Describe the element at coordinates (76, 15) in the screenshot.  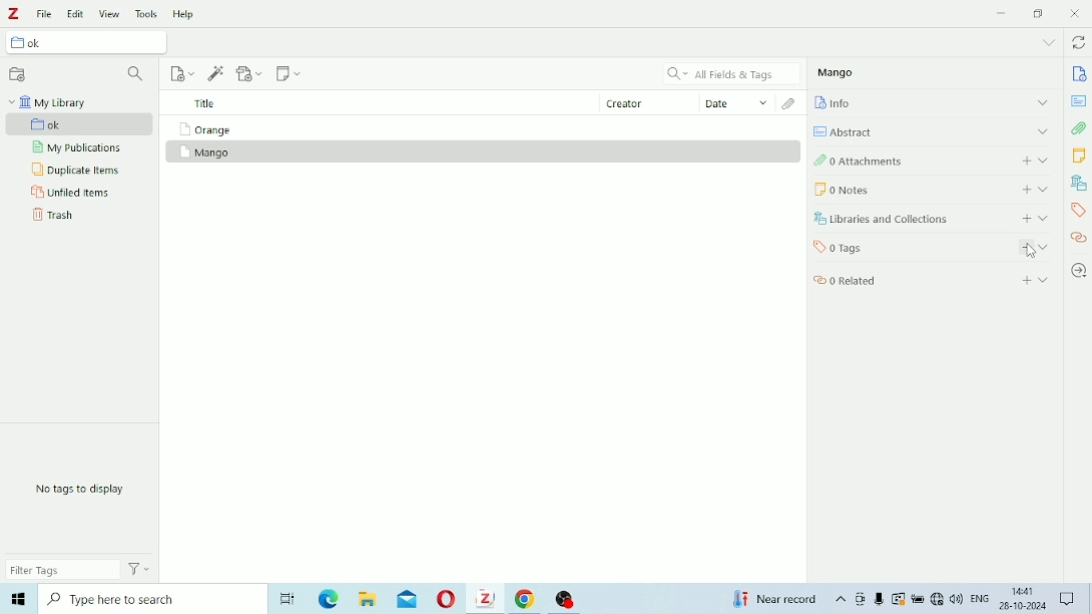
I see `Edit` at that location.